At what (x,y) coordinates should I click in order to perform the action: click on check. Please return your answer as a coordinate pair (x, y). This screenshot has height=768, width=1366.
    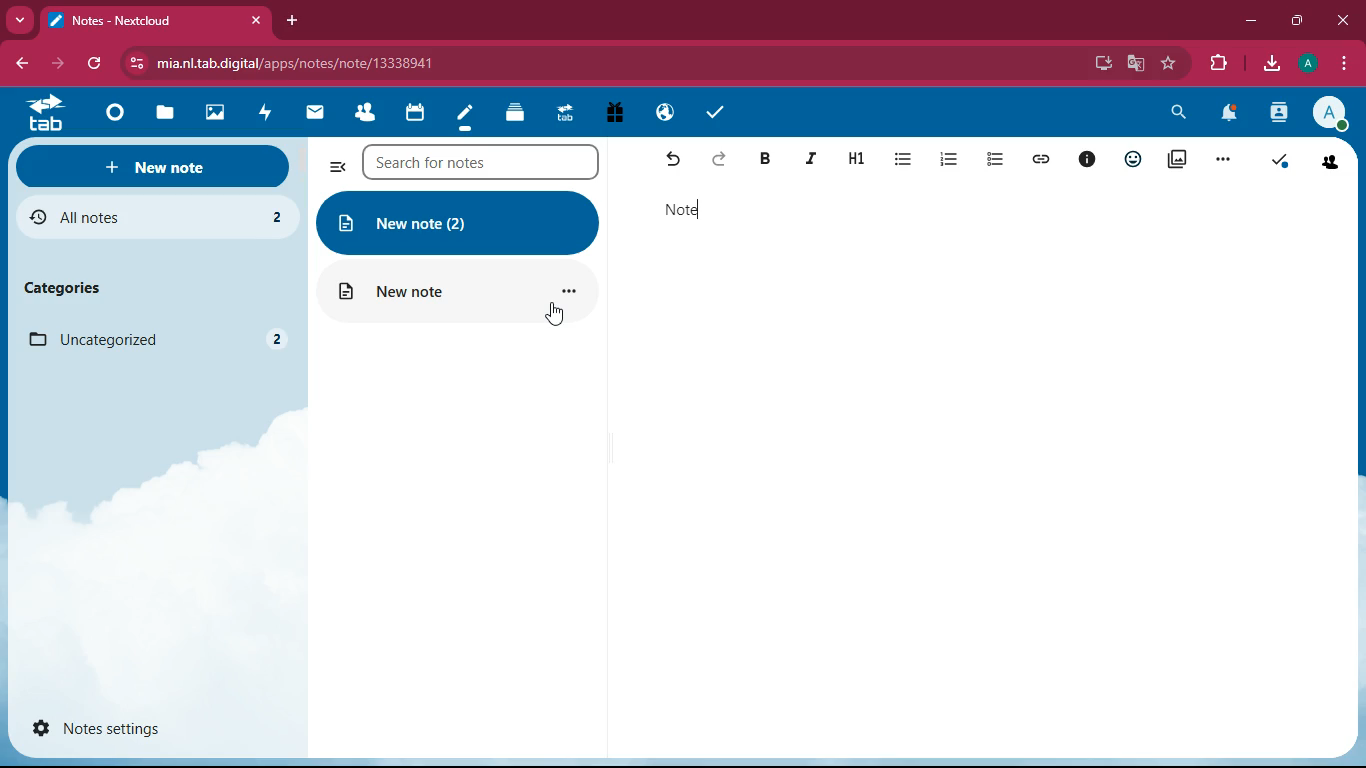
    Looking at the image, I should click on (1278, 162).